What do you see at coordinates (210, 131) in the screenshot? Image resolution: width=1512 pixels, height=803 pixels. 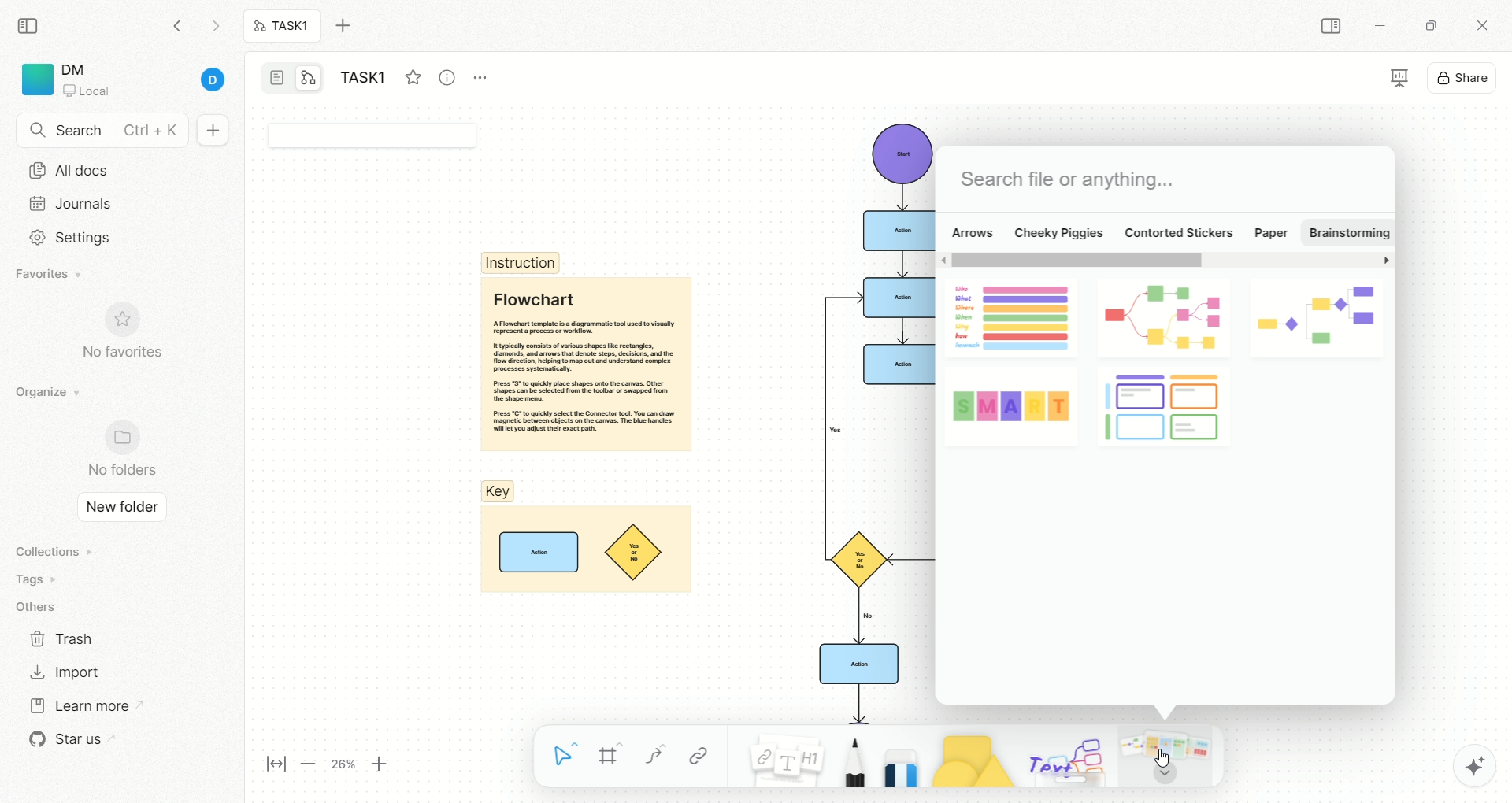 I see `new document` at bounding box center [210, 131].